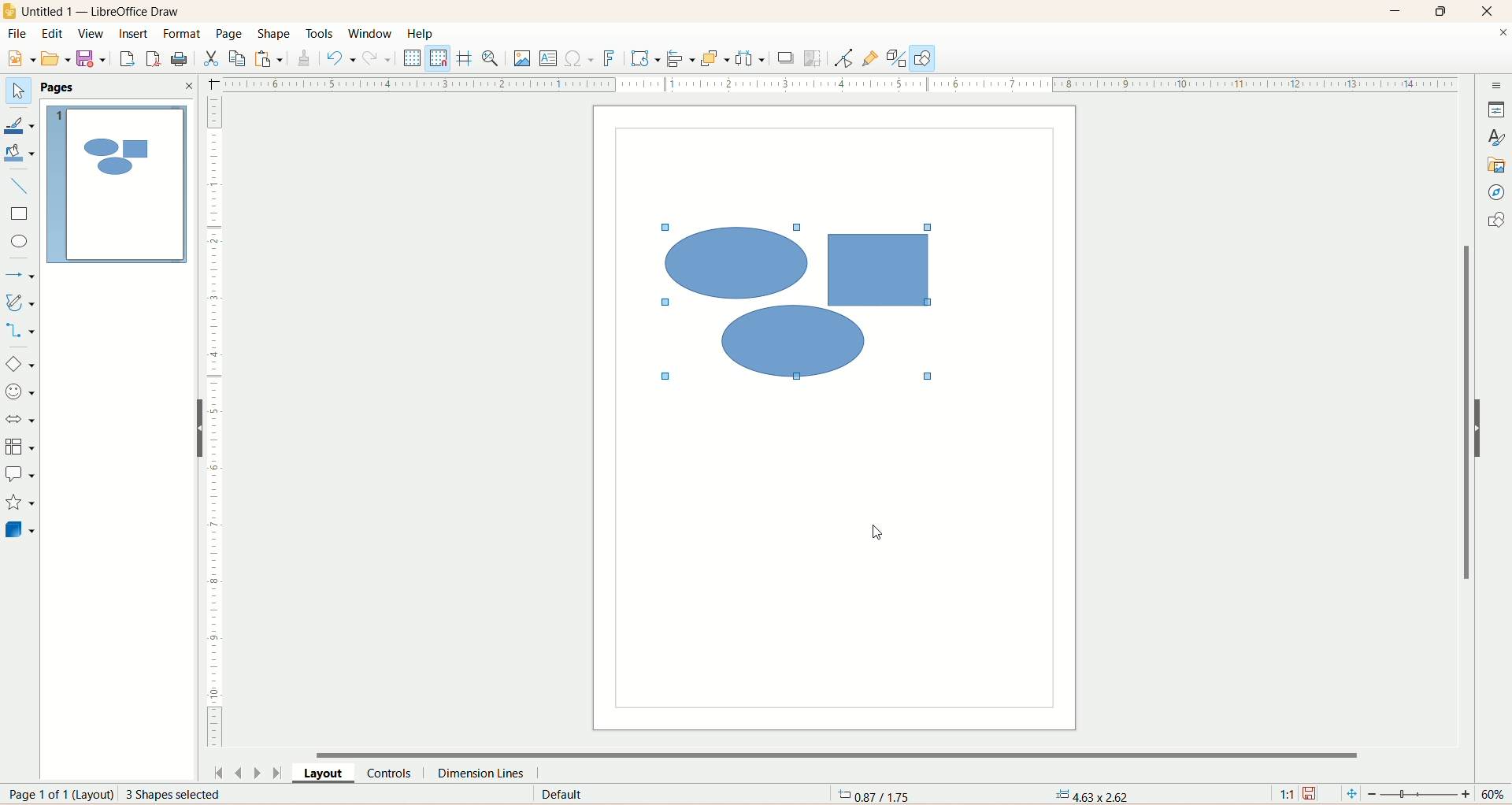 The height and width of the screenshot is (805, 1512). I want to click on logo, so click(9, 11).